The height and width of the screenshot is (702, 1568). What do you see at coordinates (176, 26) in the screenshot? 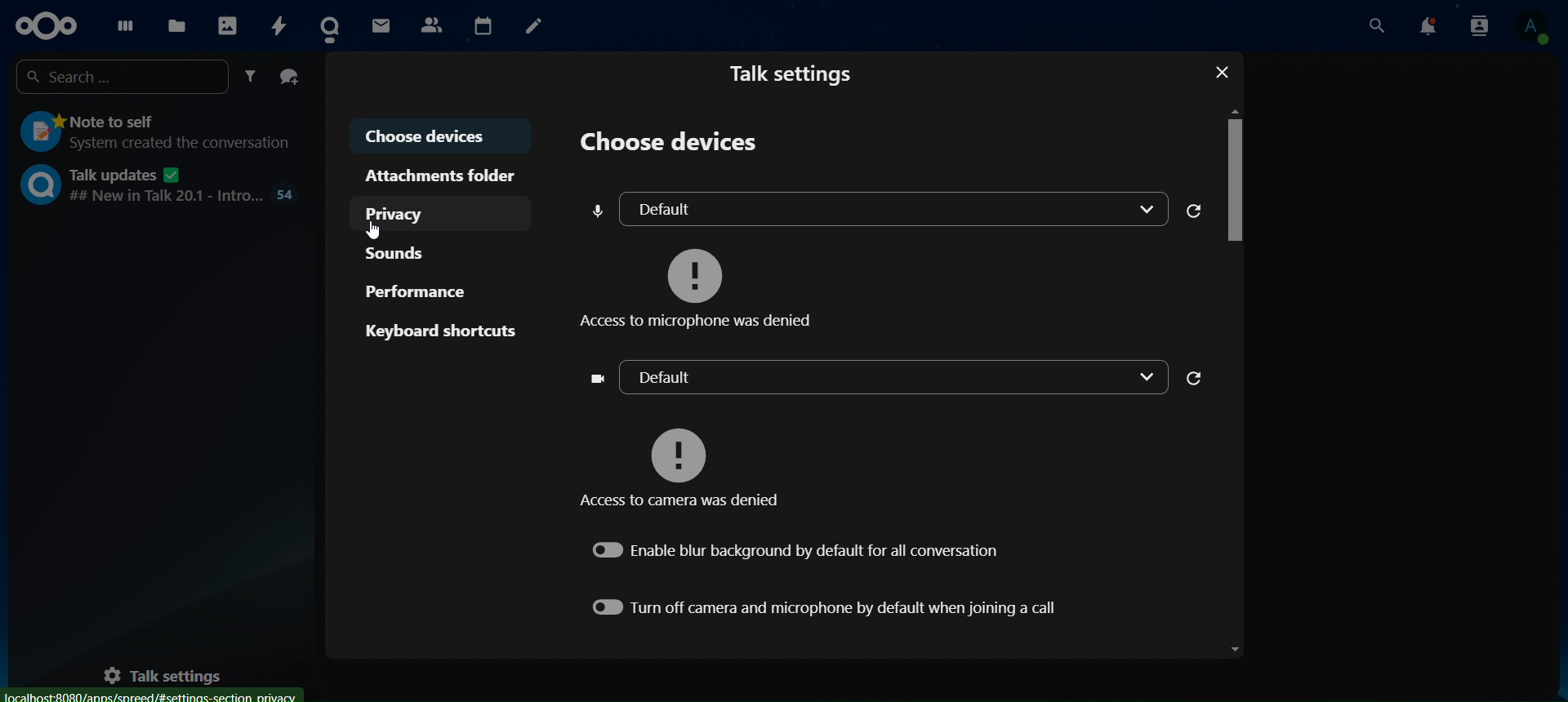
I see `files` at bounding box center [176, 26].